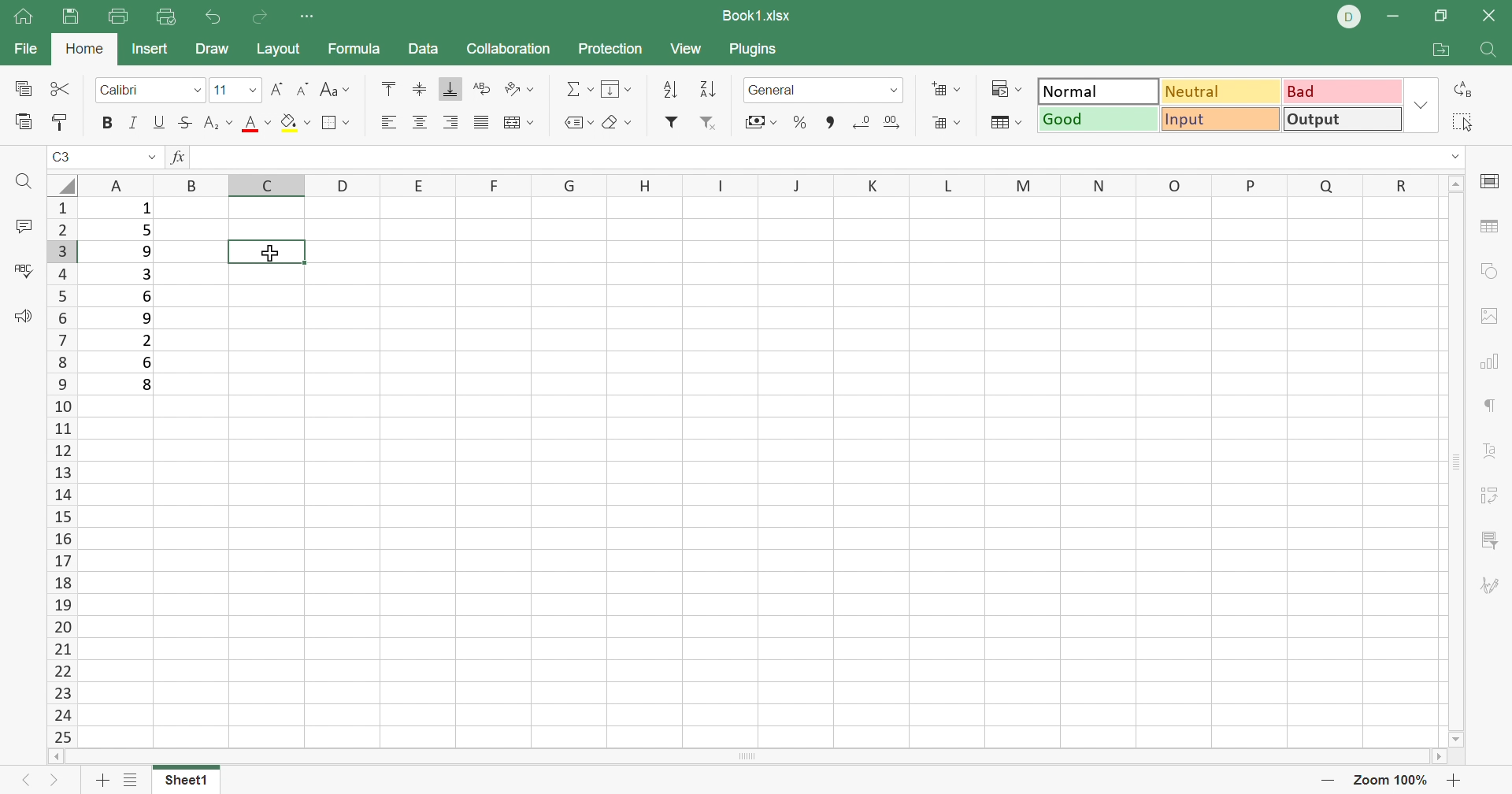 Image resolution: width=1512 pixels, height=794 pixels. I want to click on Output, so click(1341, 118).